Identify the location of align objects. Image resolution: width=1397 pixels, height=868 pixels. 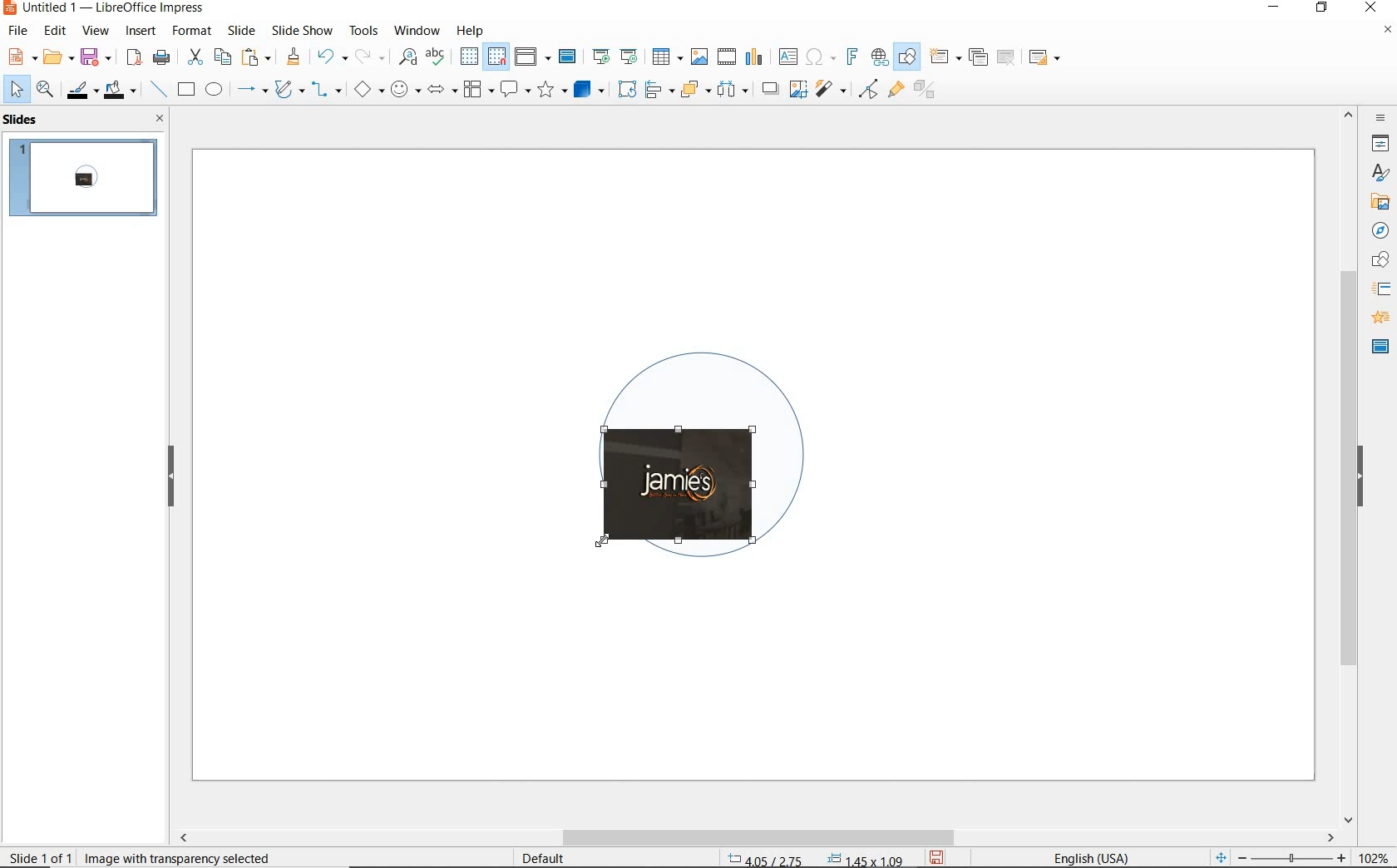
(655, 88).